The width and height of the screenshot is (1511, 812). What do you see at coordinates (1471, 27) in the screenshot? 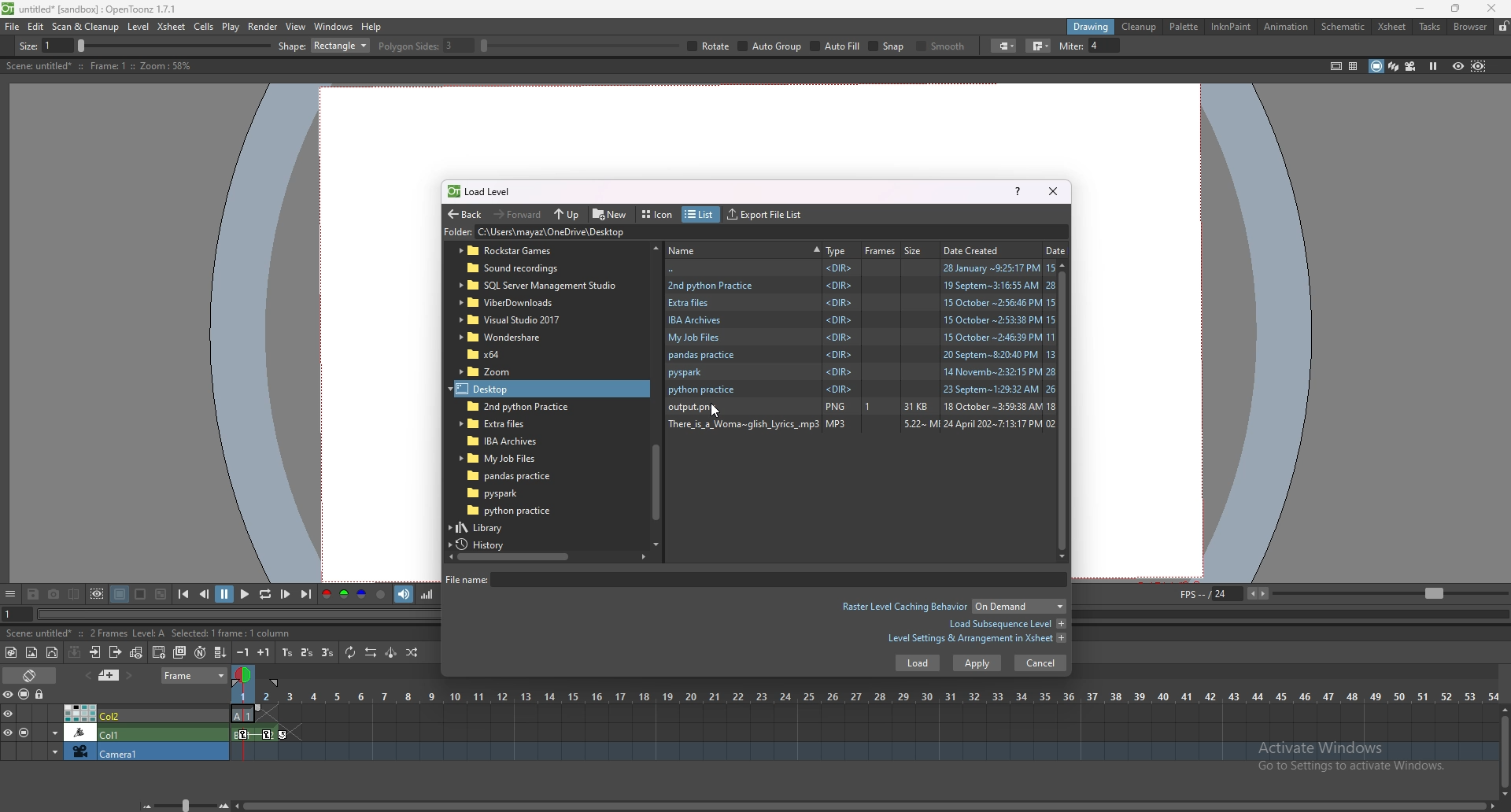
I see `browser` at bounding box center [1471, 27].